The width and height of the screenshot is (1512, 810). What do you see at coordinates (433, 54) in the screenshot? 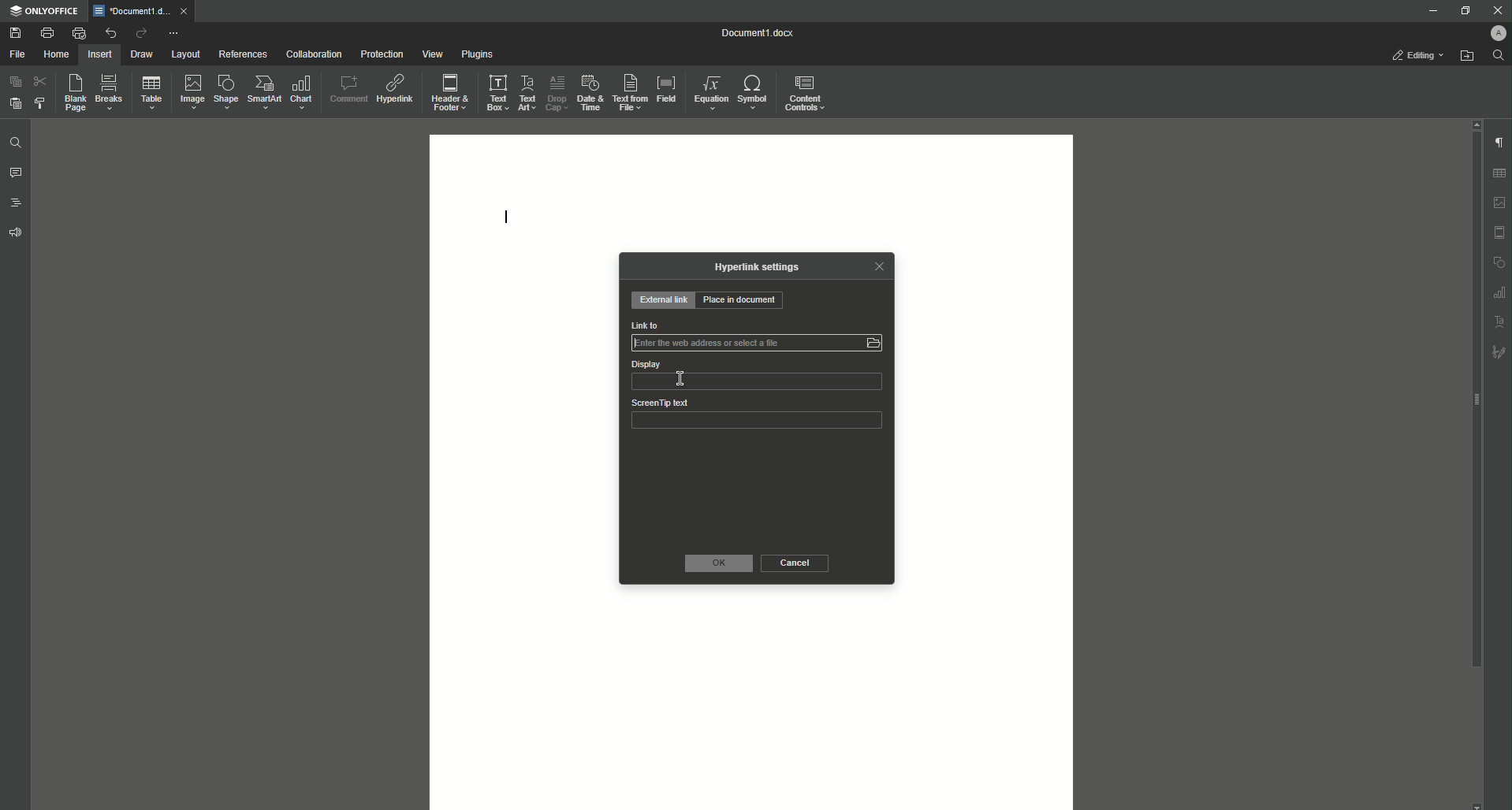
I see `View` at bounding box center [433, 54].